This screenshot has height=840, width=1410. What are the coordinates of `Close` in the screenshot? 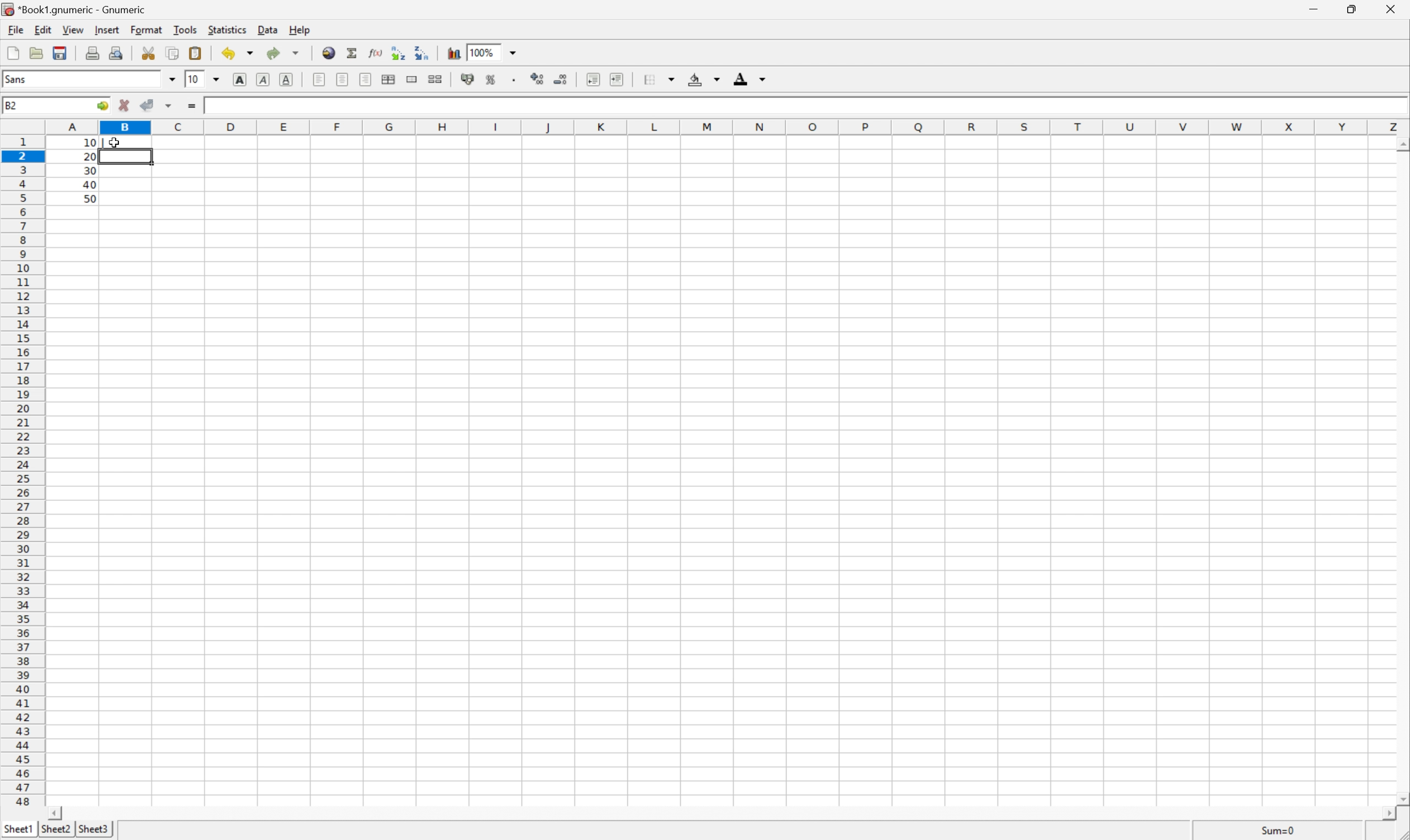 It's located at (1394, 9).